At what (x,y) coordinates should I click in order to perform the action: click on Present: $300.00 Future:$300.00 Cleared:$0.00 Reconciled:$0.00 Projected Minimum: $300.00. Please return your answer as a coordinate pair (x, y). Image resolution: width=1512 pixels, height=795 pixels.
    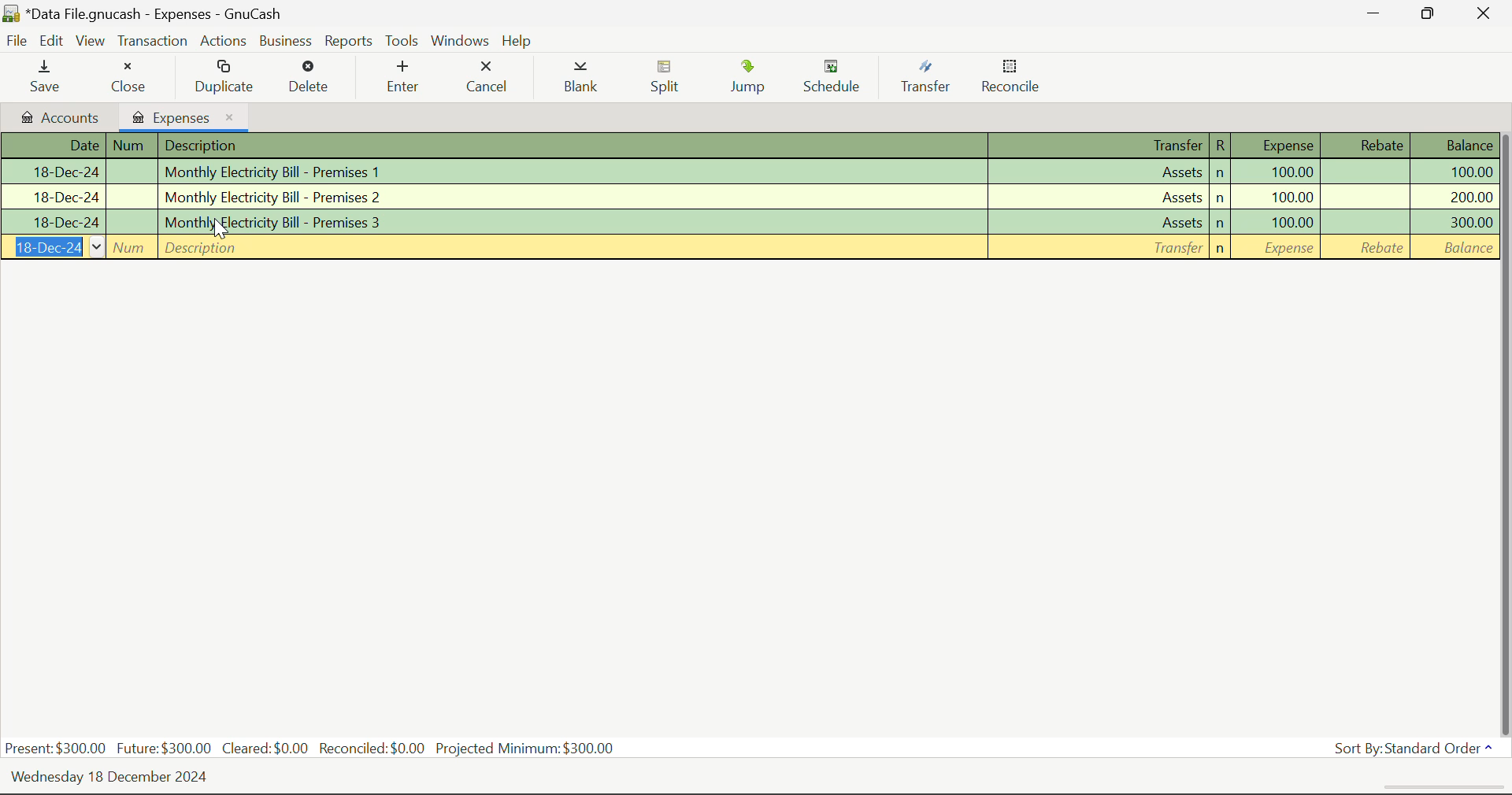
    Looking at the image, I should click on (315, 749).